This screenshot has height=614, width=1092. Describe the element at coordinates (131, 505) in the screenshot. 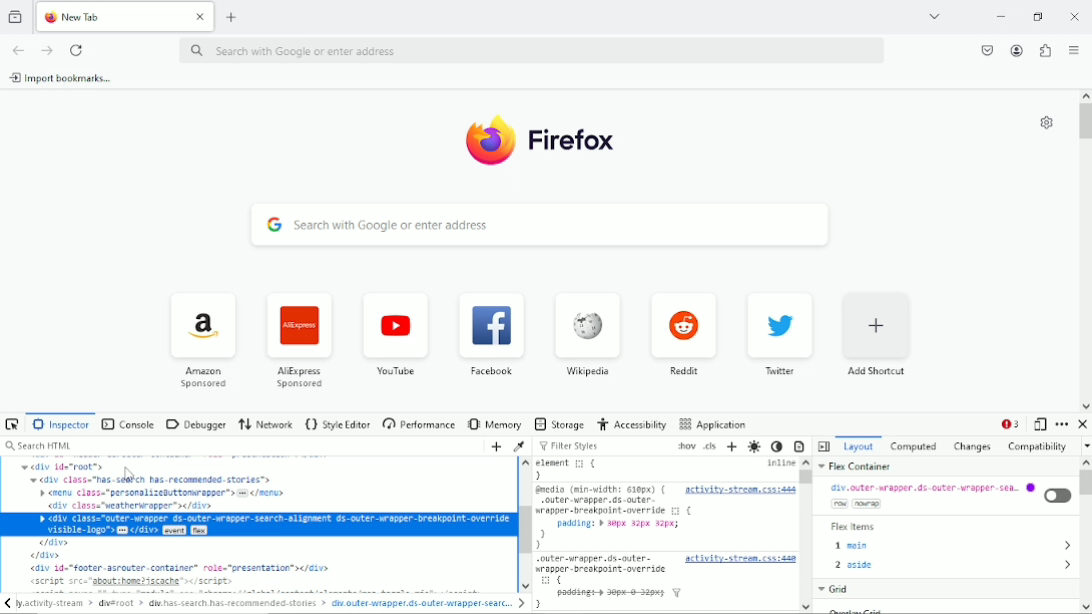

I see `<div class= “weatherwrapper"></div>` at that location.